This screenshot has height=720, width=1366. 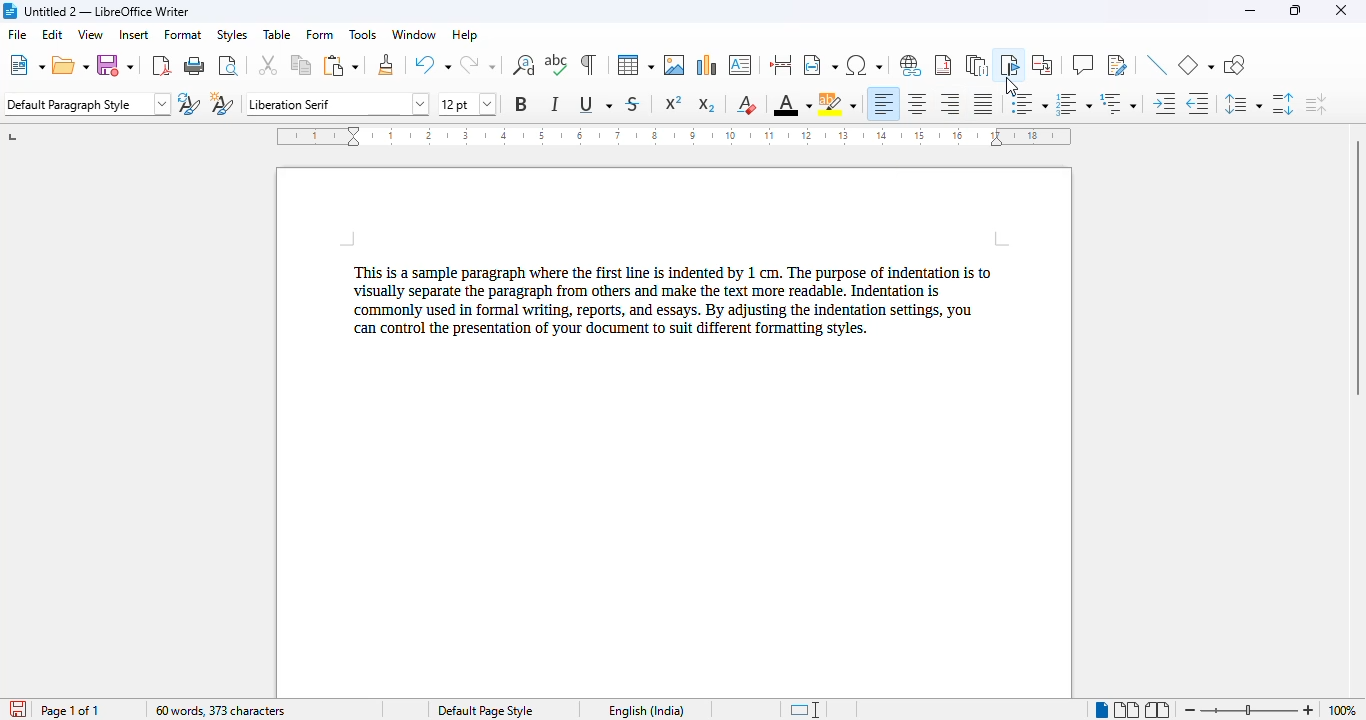 What do you see at coordinates (27, 65) in the screenshot?
I see `new` at bounding box center [27, 65].